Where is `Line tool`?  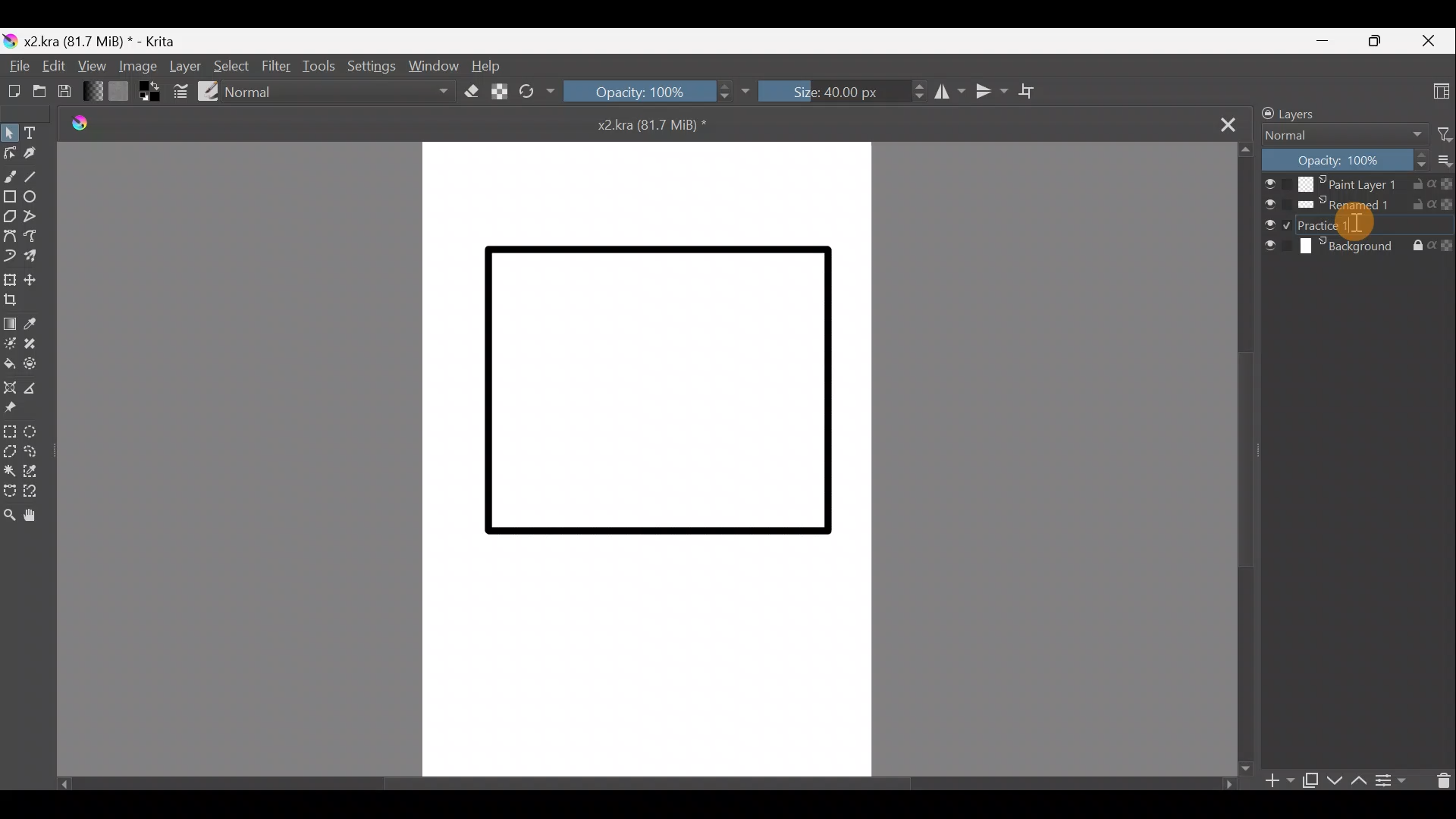
Line tool is located at coordinates (36, 174).